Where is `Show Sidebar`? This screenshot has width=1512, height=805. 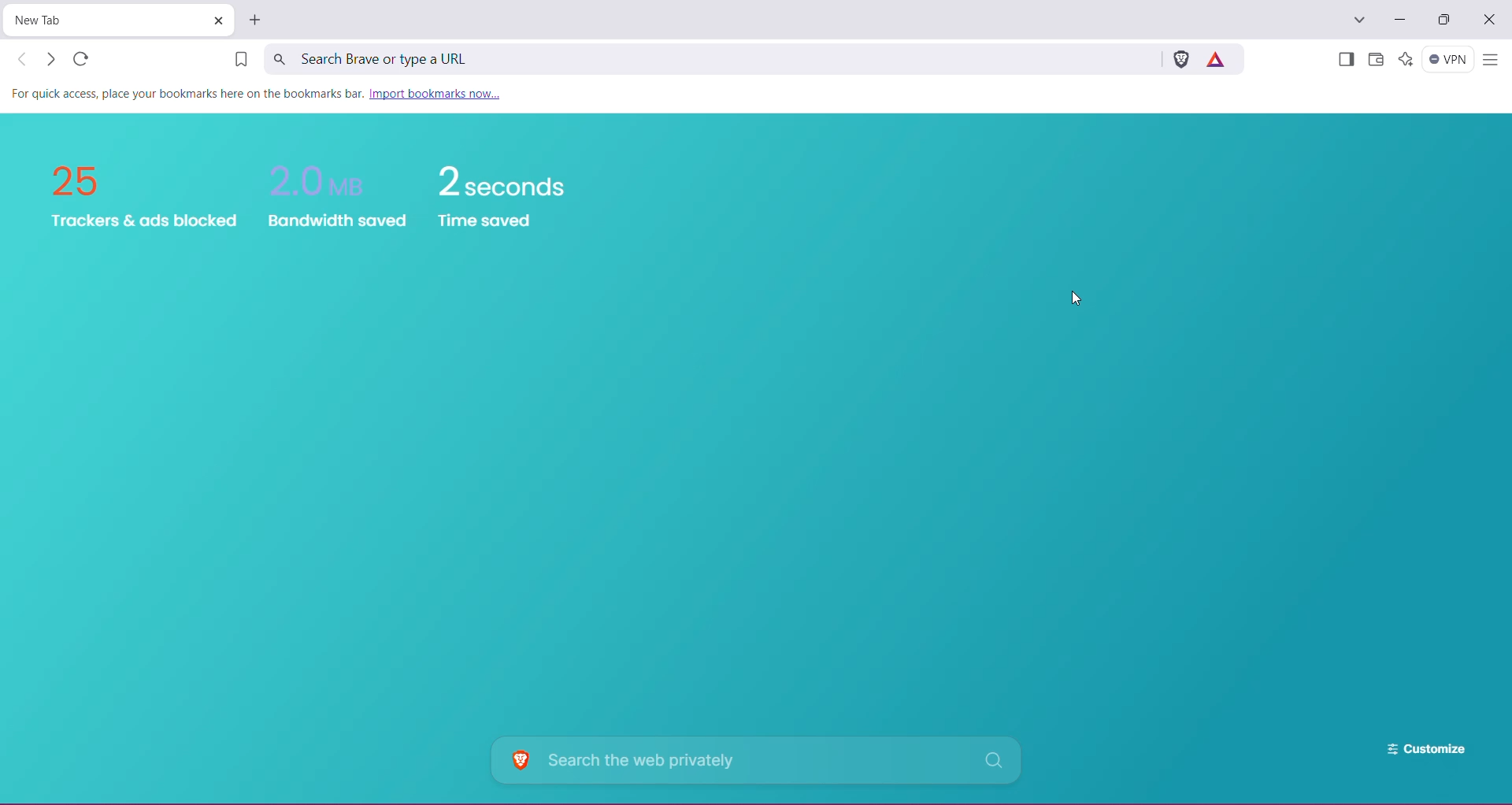 Show Sidebar is located at coordinates (1344, 61).